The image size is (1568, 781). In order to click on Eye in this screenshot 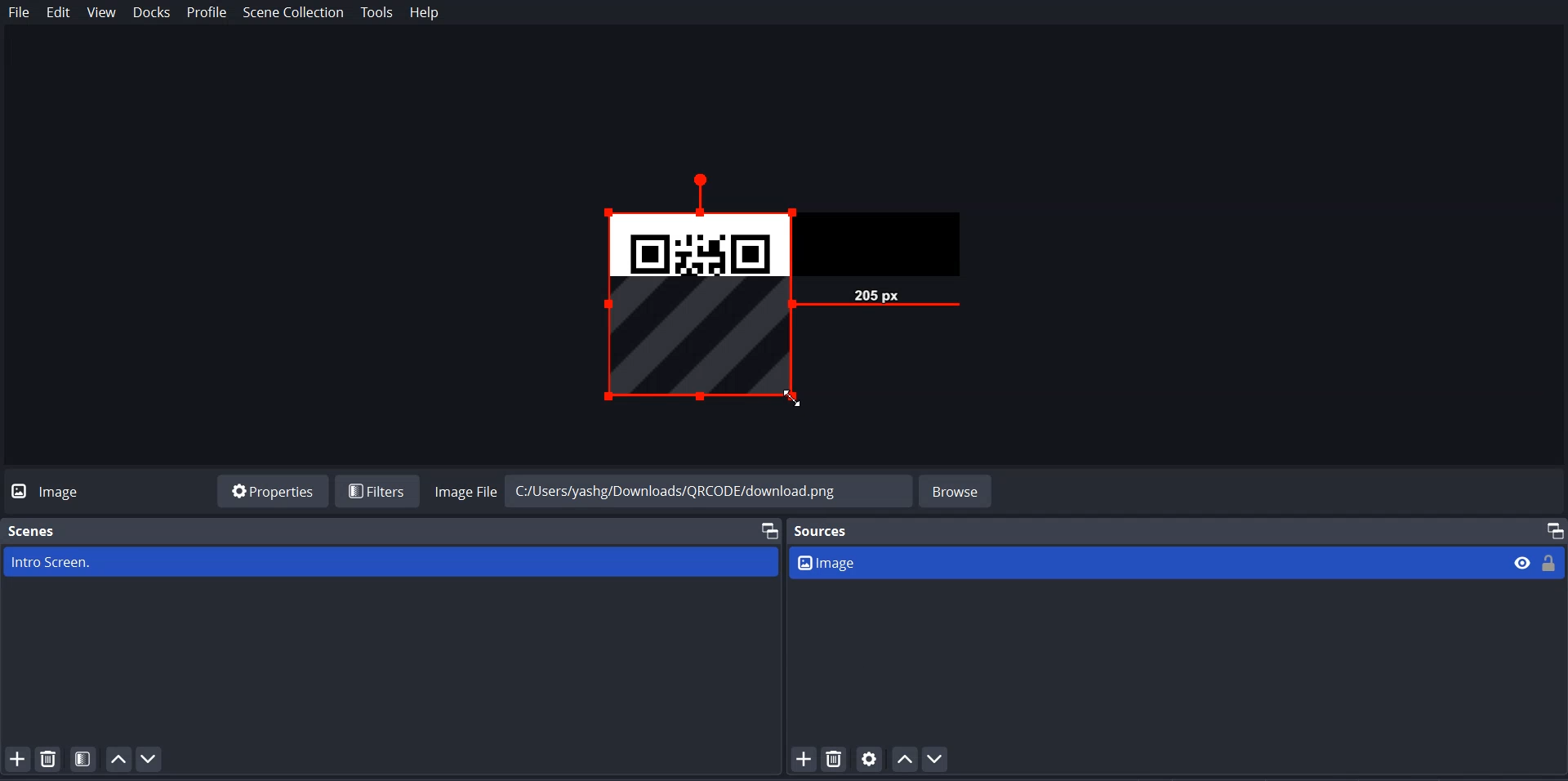, I will do `click(1523, 562)`.